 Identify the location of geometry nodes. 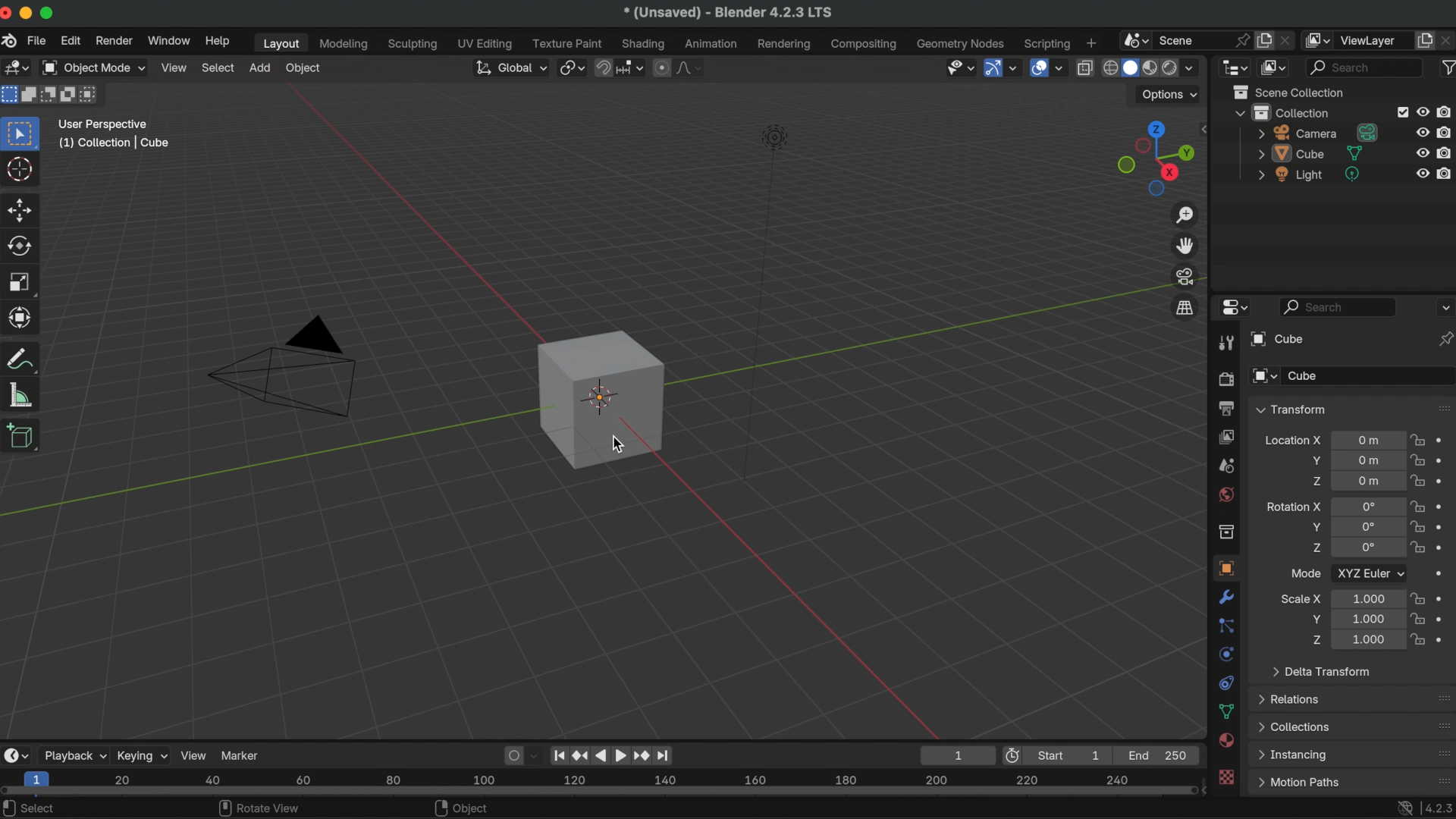
(962, 43).